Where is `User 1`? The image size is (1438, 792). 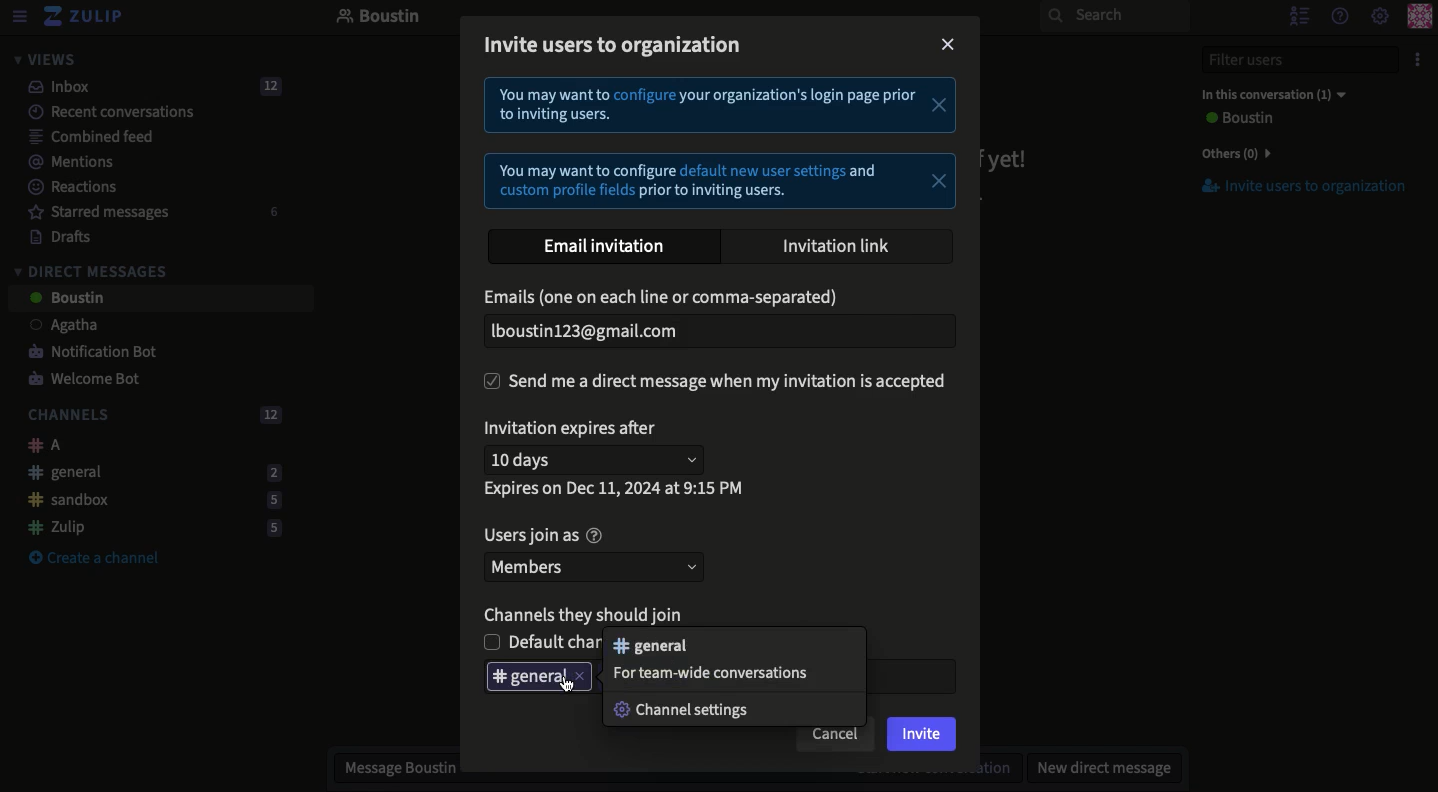
User 1 is located at coordinates (53, 327).